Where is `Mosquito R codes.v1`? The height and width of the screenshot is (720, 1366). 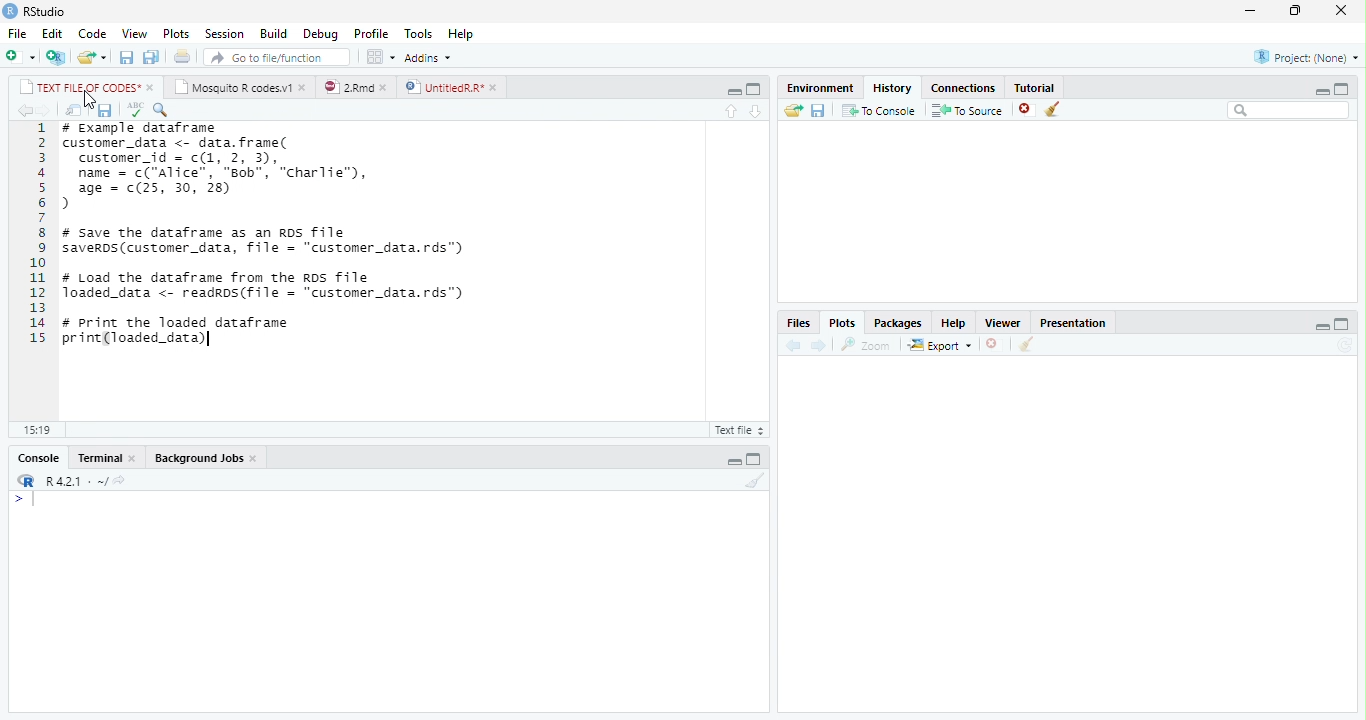
Mosquito R codes.v1 is located at coordinates (232, 87).